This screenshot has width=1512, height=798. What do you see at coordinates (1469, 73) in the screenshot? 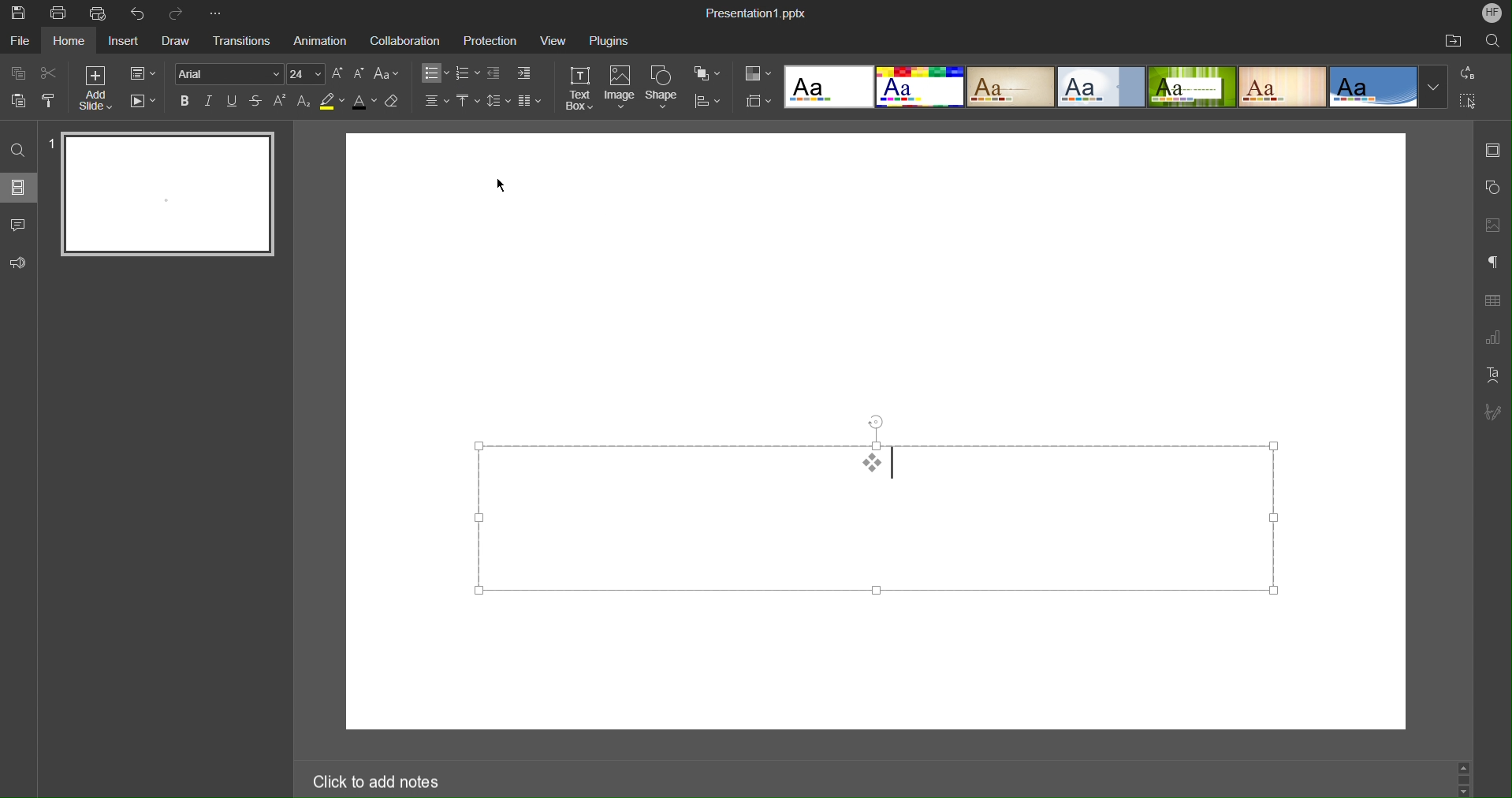
I see `Replace` at bounding box center [1469, 73].